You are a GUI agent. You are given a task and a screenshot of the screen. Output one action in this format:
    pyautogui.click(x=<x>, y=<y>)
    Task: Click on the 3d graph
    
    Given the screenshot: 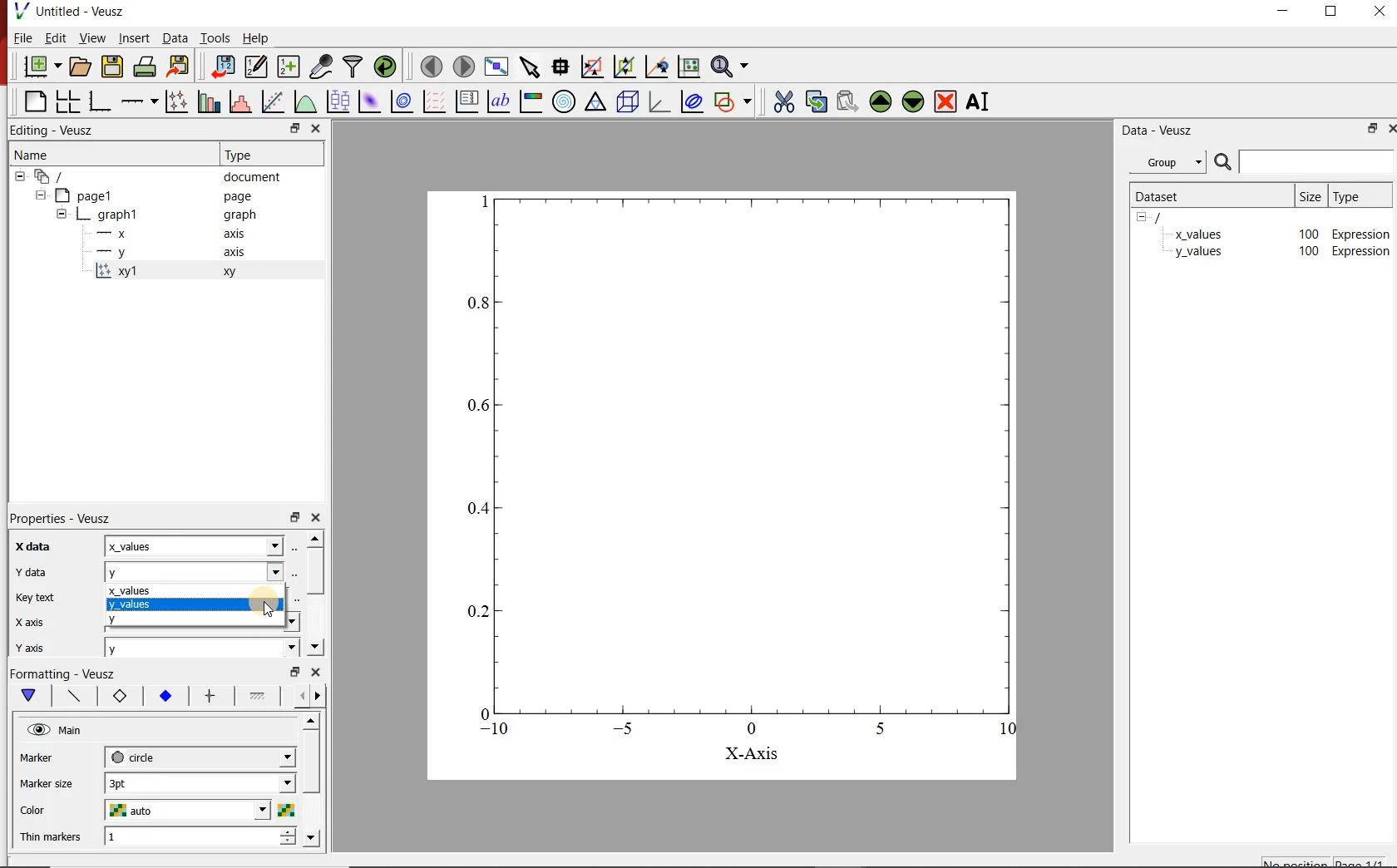 What is the action you would take?
    pyautogui.click(x=660, y=104)
    